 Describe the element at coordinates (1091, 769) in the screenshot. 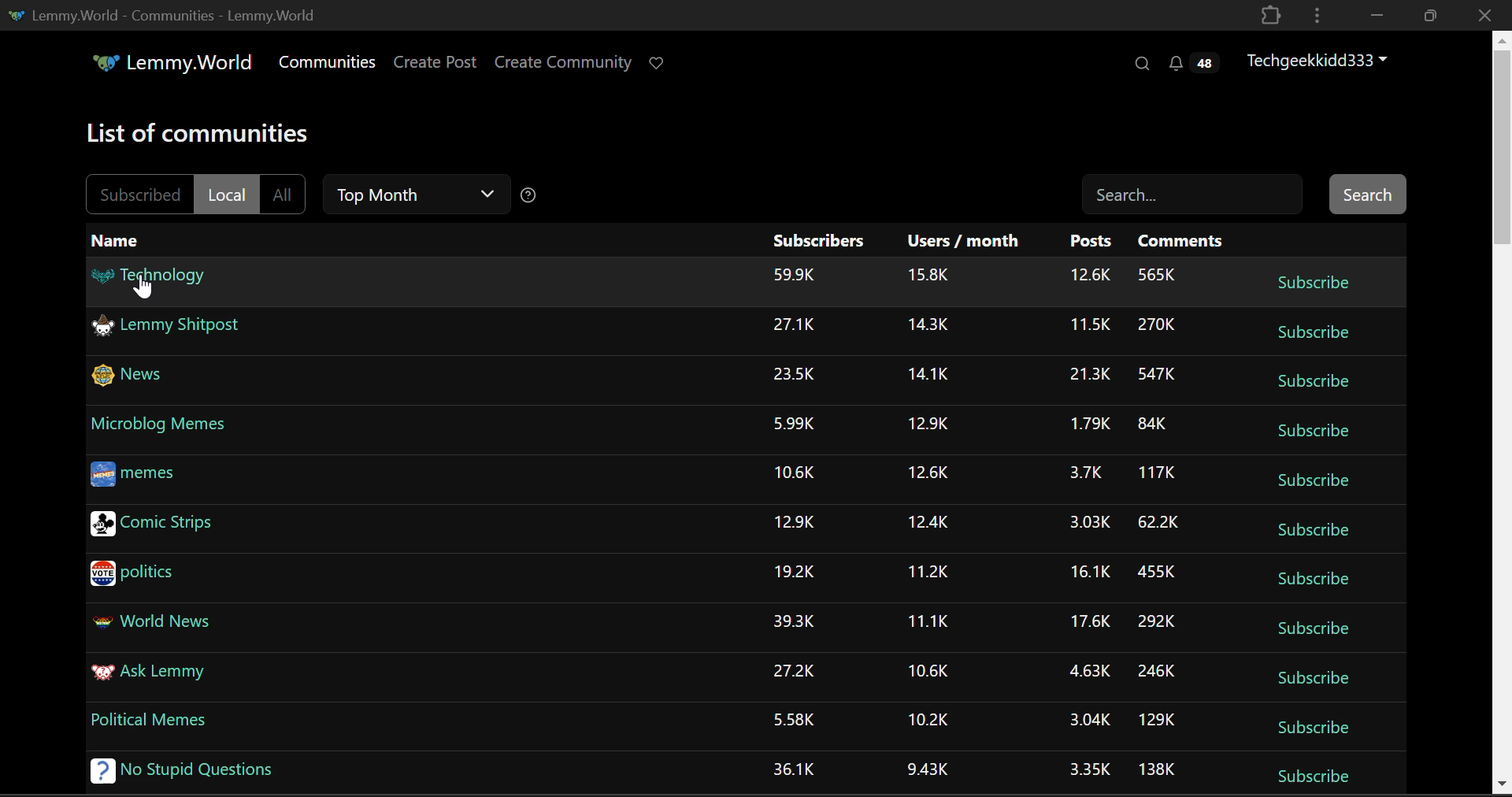

I see `Amount` at that location.